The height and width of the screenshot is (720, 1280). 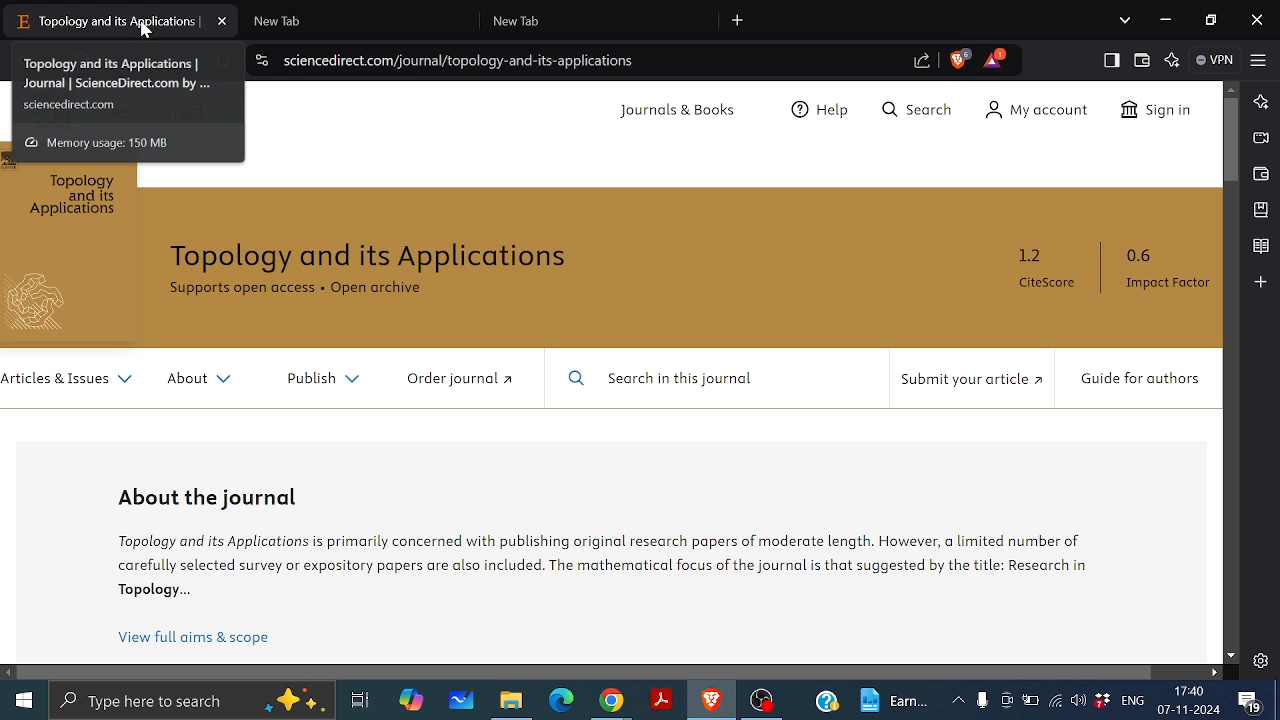 What do you see at coordinates (457, 378) in the screenshot?
I see `Order journal 2` at bounding box center [457, 378].